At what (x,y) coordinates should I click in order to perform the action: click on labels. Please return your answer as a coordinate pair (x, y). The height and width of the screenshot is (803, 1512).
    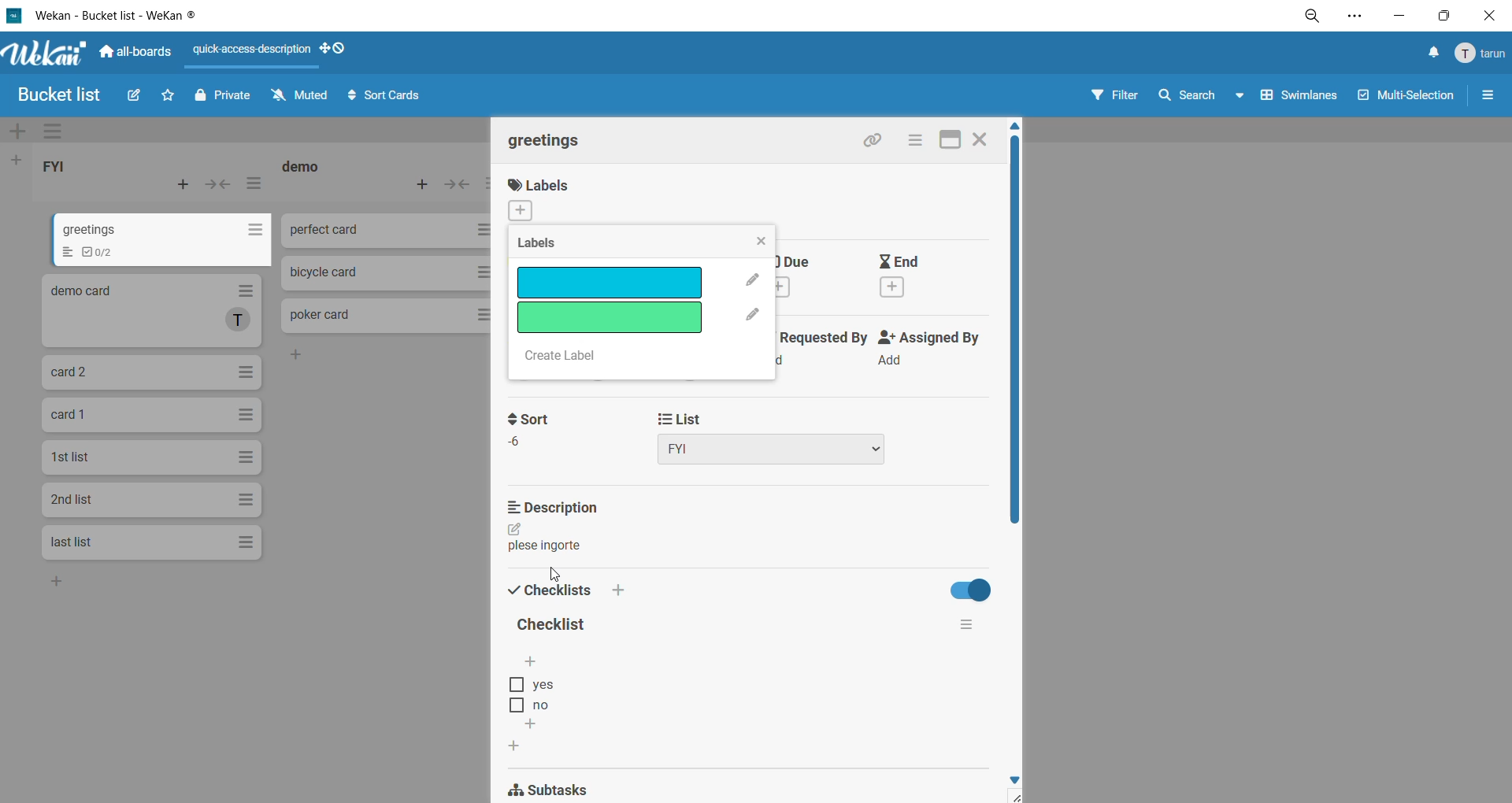
    Looking at the image, I should click on (538, 198).